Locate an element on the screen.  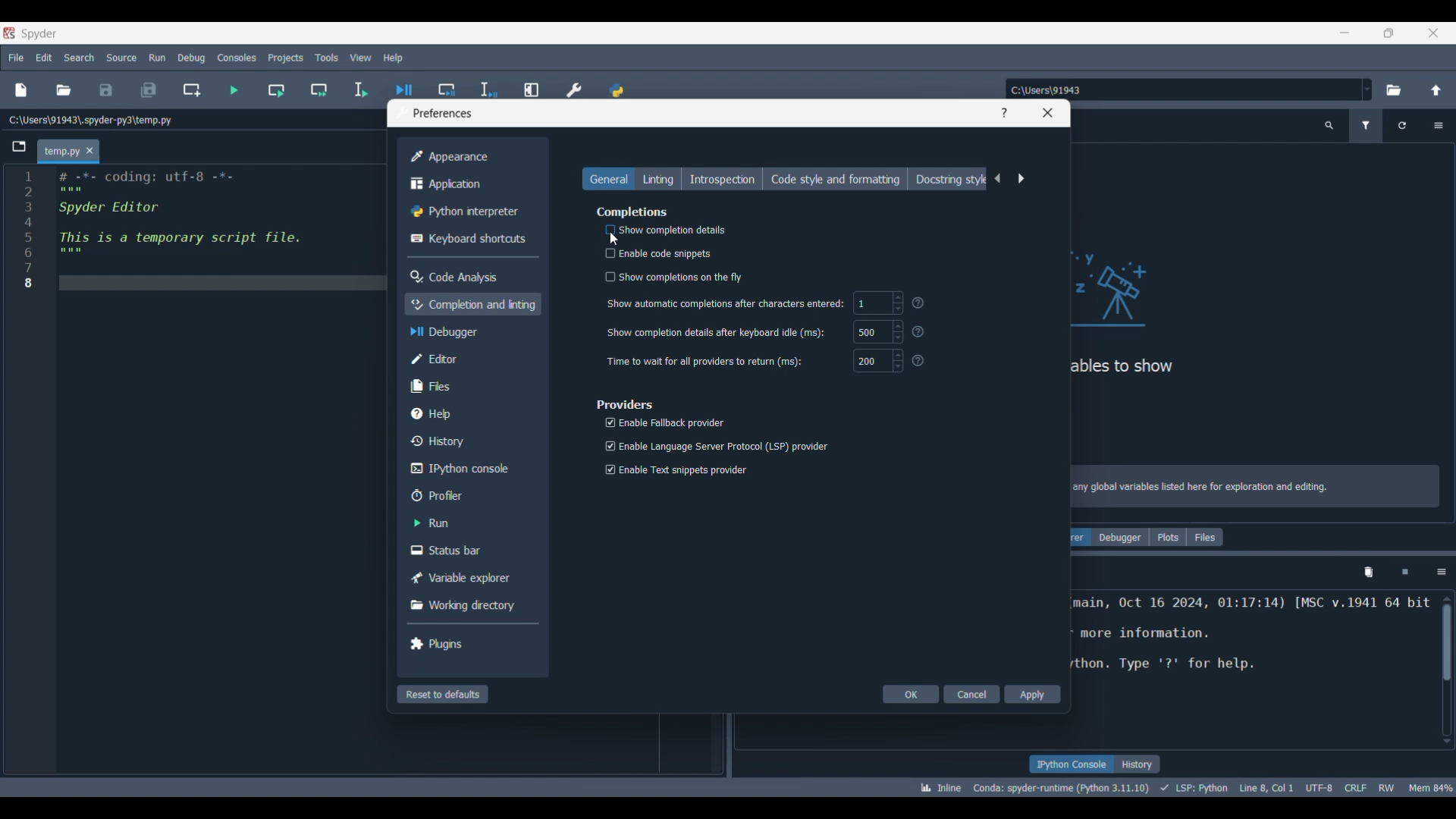
Cancel is located at coordinates (971, 694).